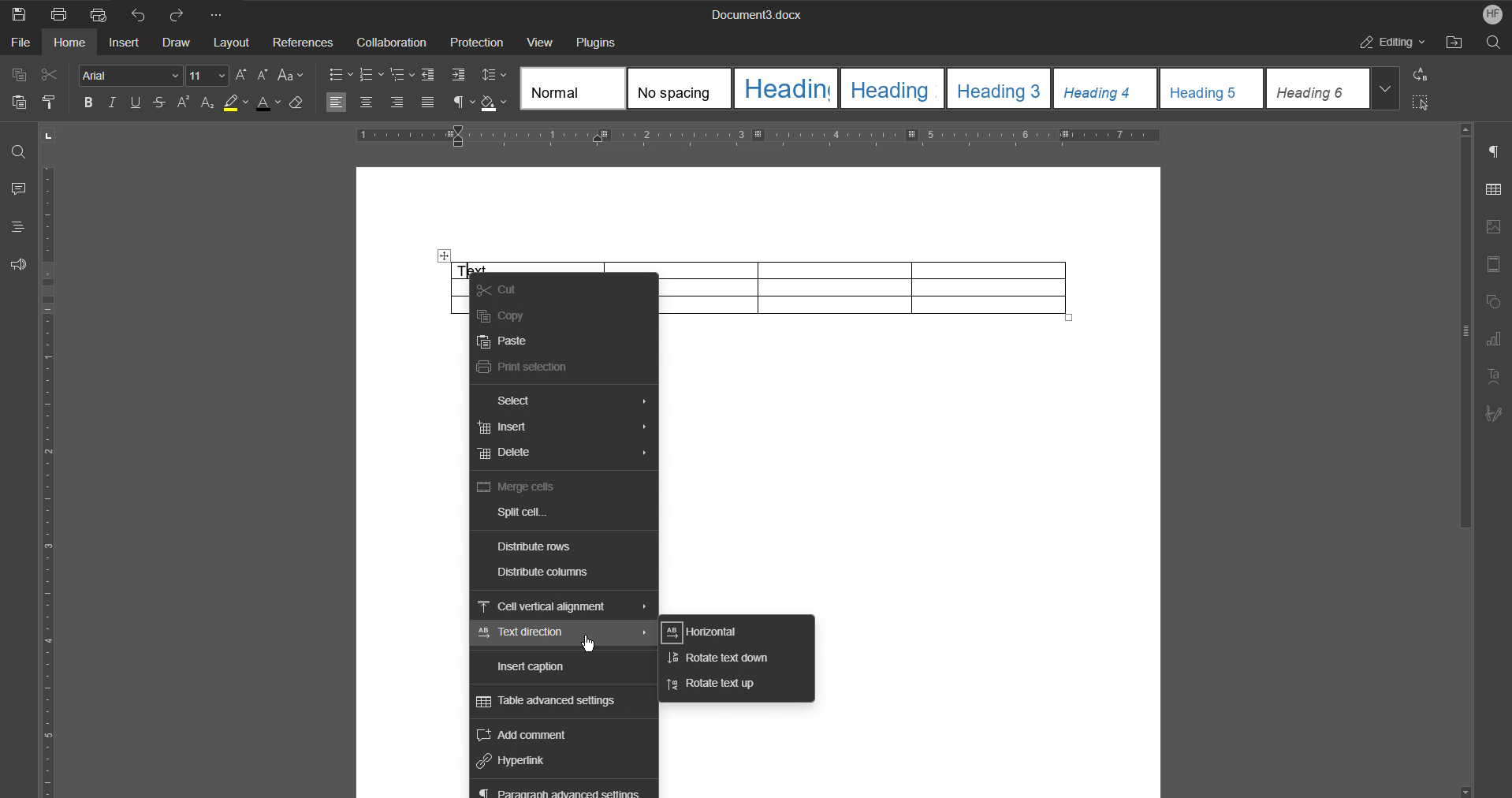 This screenshot has width=1512, height=798. I want to click on Cursor, so click(587, 644).